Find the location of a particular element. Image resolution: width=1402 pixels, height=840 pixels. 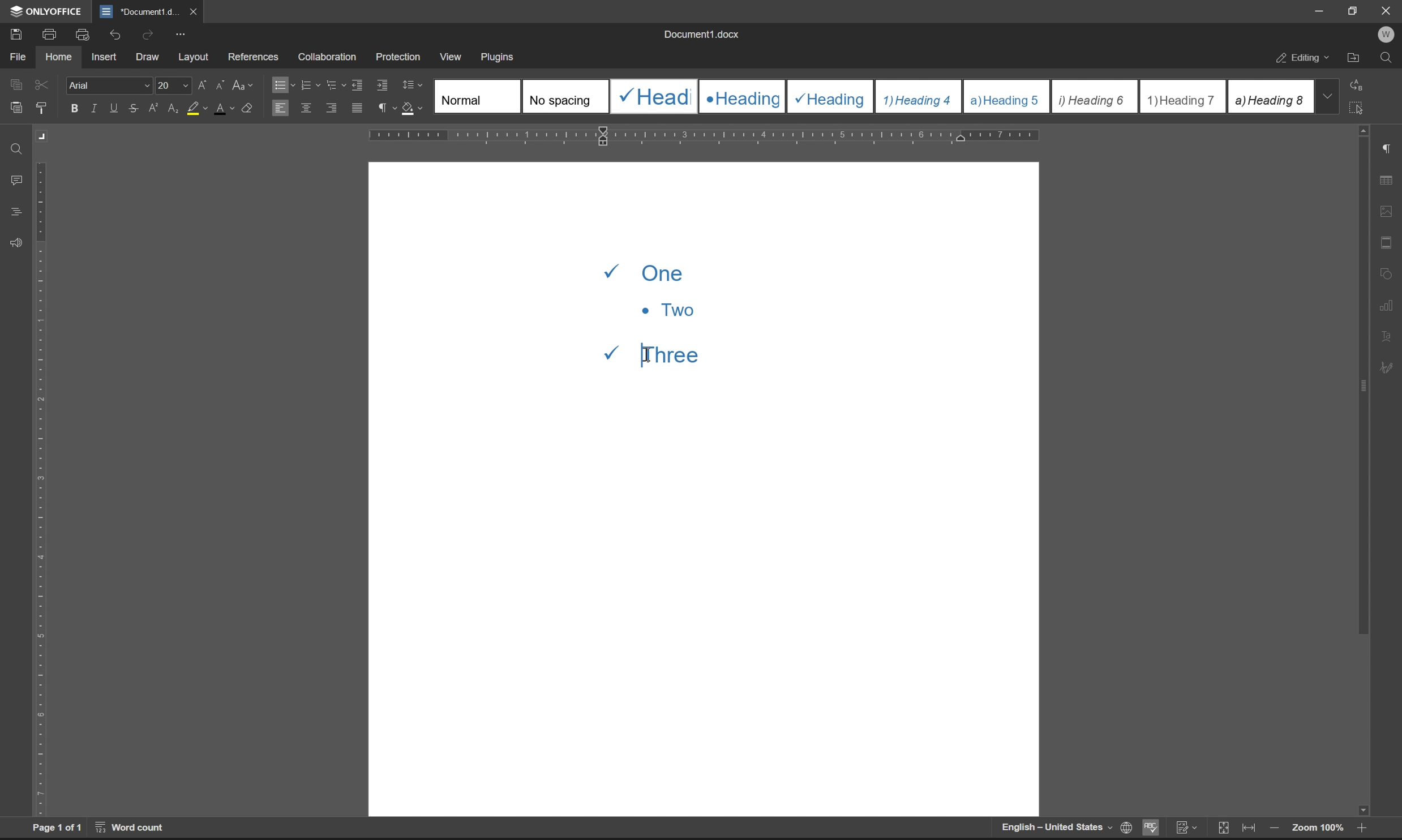

Close is located at coordinates (1387, 11).